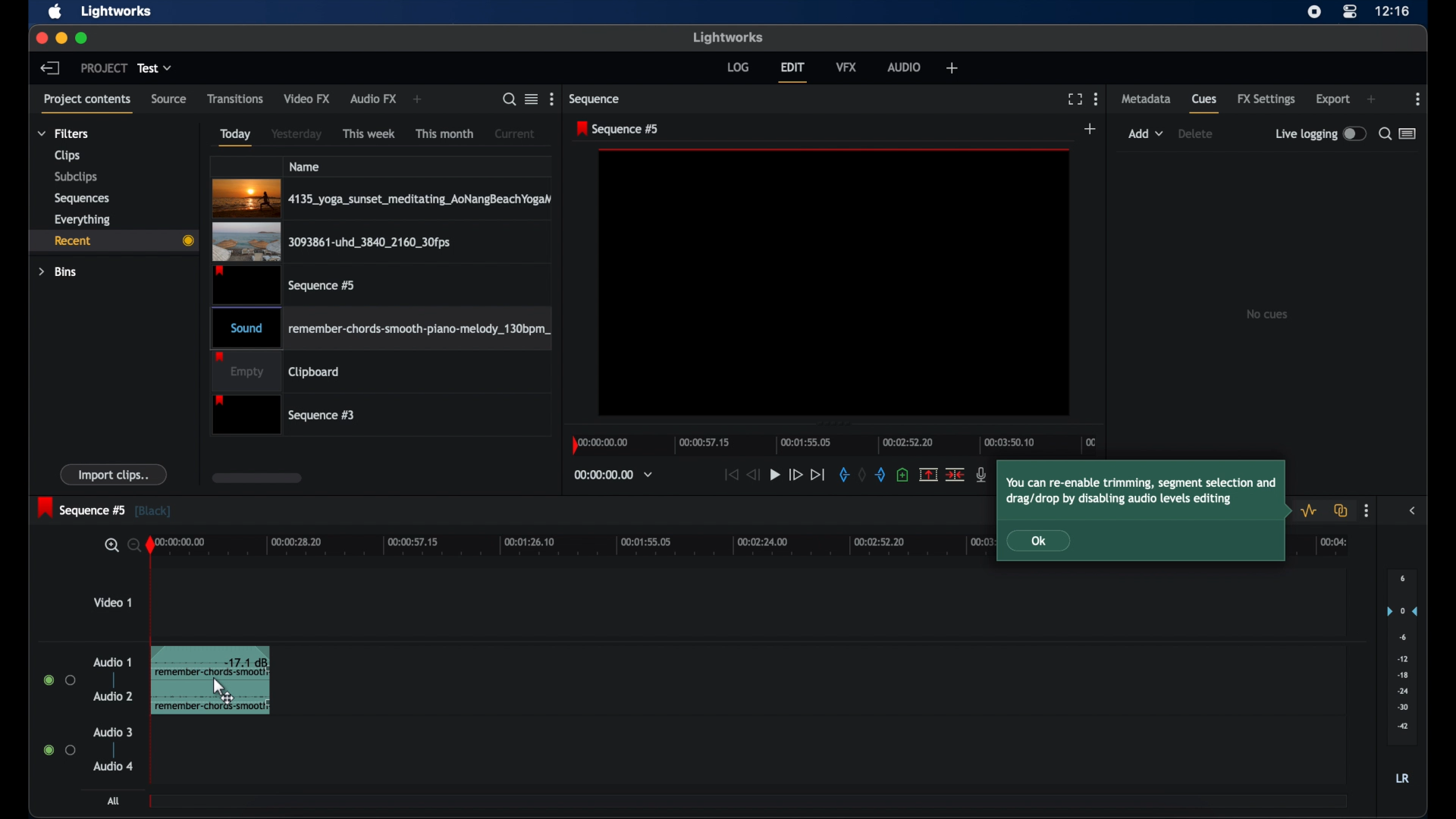  I want to click on jump to end, so click(819, 475).